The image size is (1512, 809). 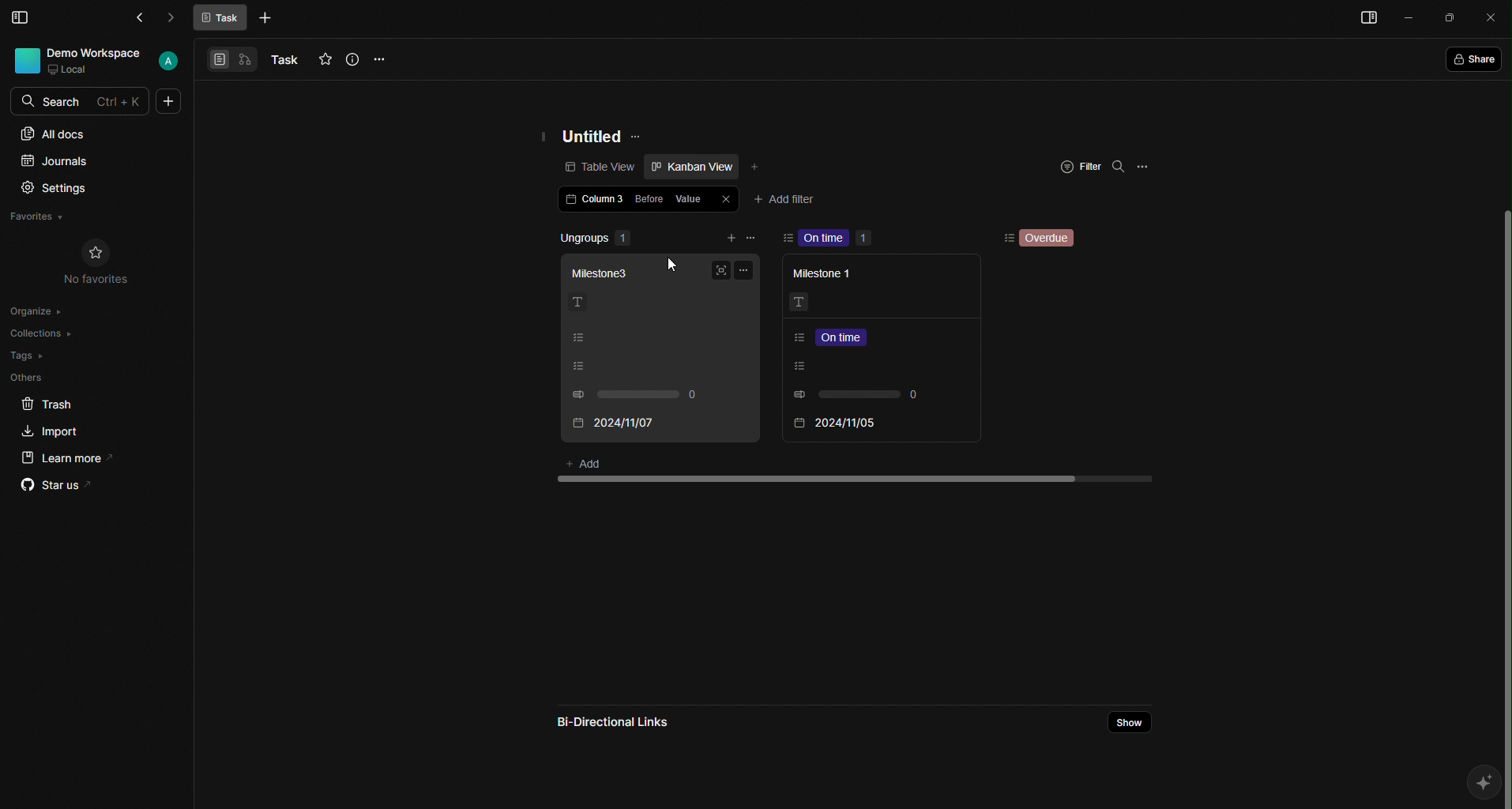 What do you see at coordinates (244, 62) in the screenshot?
I see `View 2` at bounding box center [244, 62].